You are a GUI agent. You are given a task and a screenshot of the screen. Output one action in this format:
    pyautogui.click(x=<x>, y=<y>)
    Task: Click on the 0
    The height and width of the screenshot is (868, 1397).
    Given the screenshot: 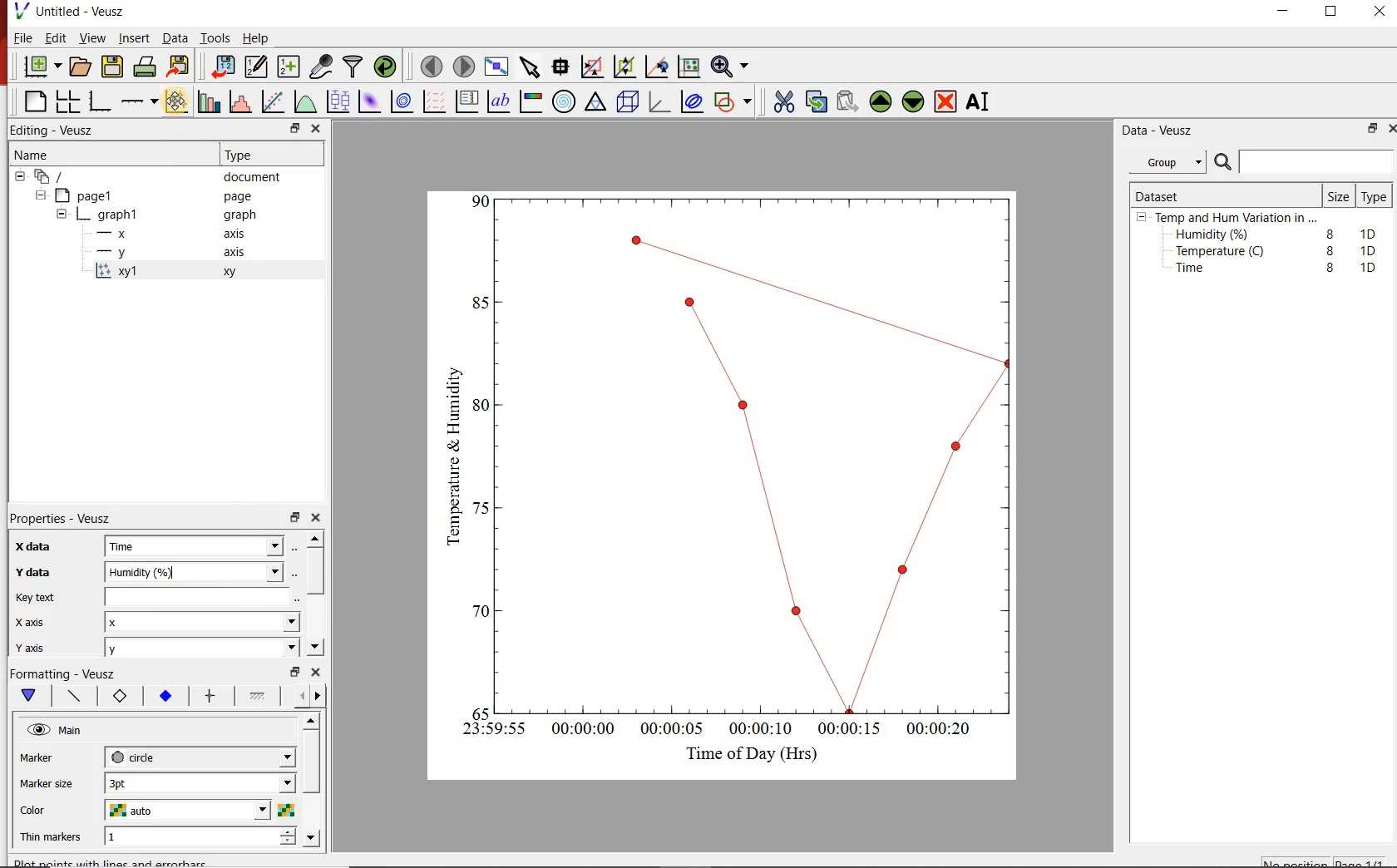 What is the action you would take?
    pyautogui.click(x=479, y=711)
    